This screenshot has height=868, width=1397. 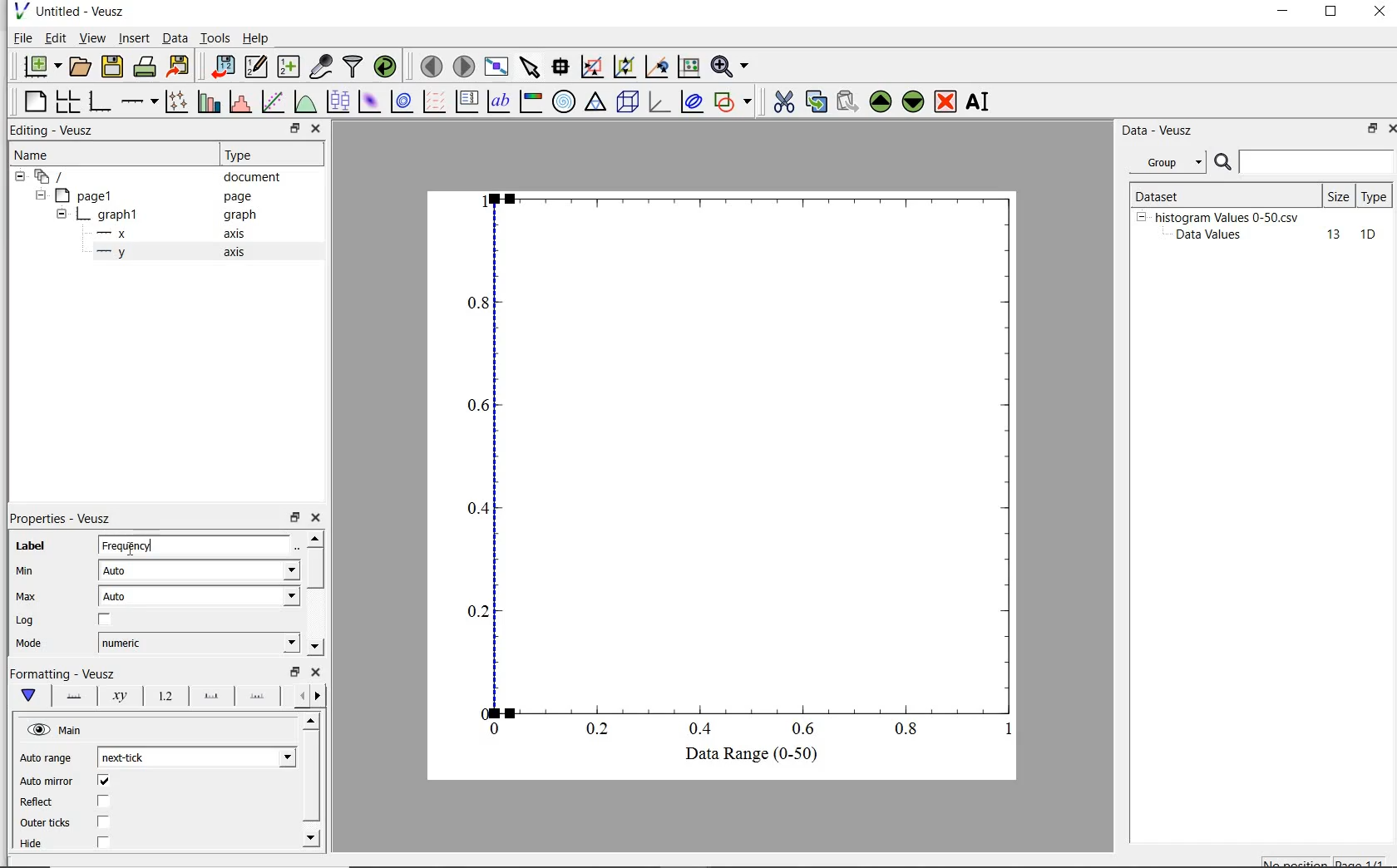 I want to click on veusz logo, so click(x=20, y=11).